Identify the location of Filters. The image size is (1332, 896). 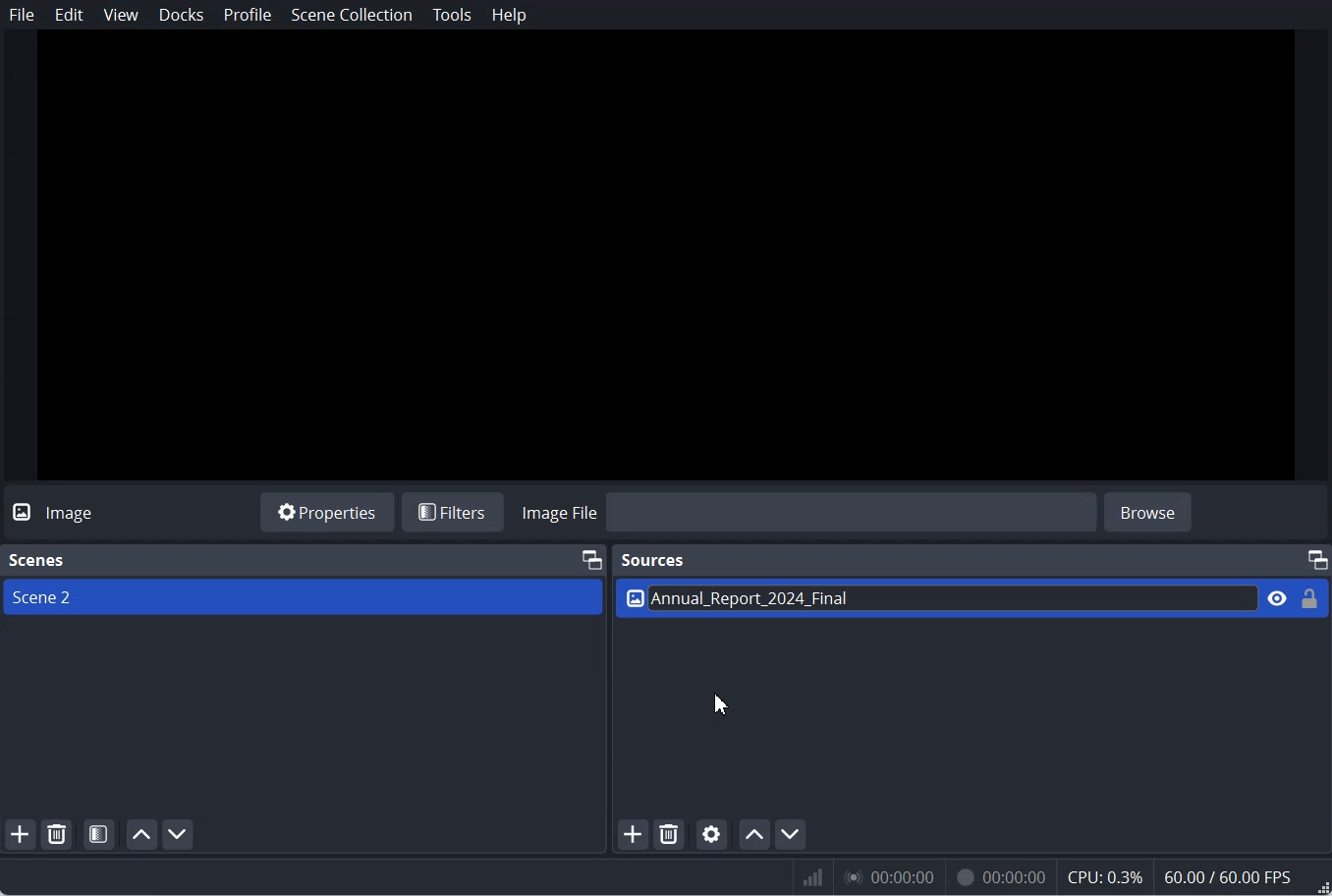
(452, 511).